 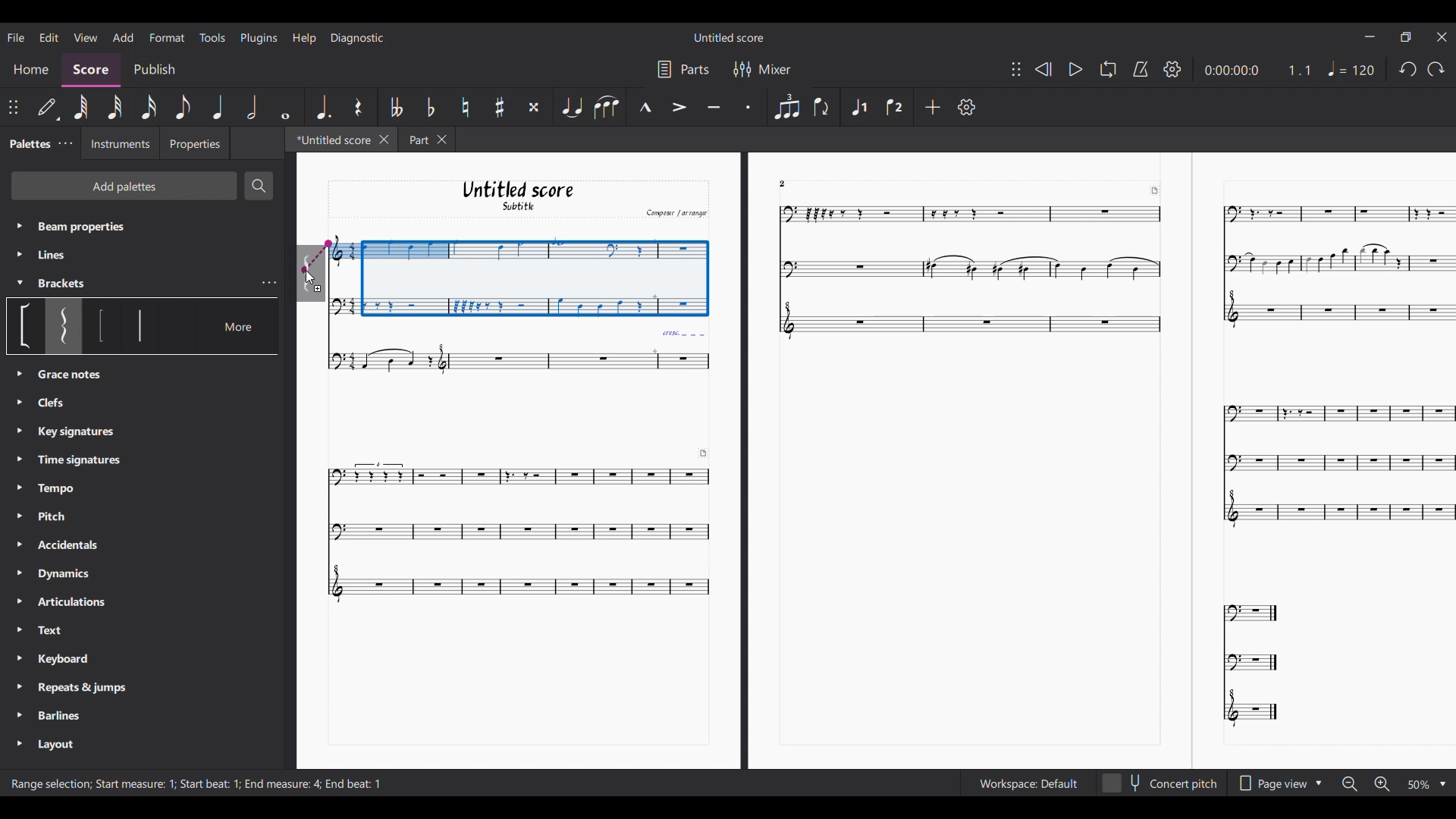 What do you see at coordinates (47, 785) in the screenshot?
I see `range selection ;` at bounding box center [47, 785].